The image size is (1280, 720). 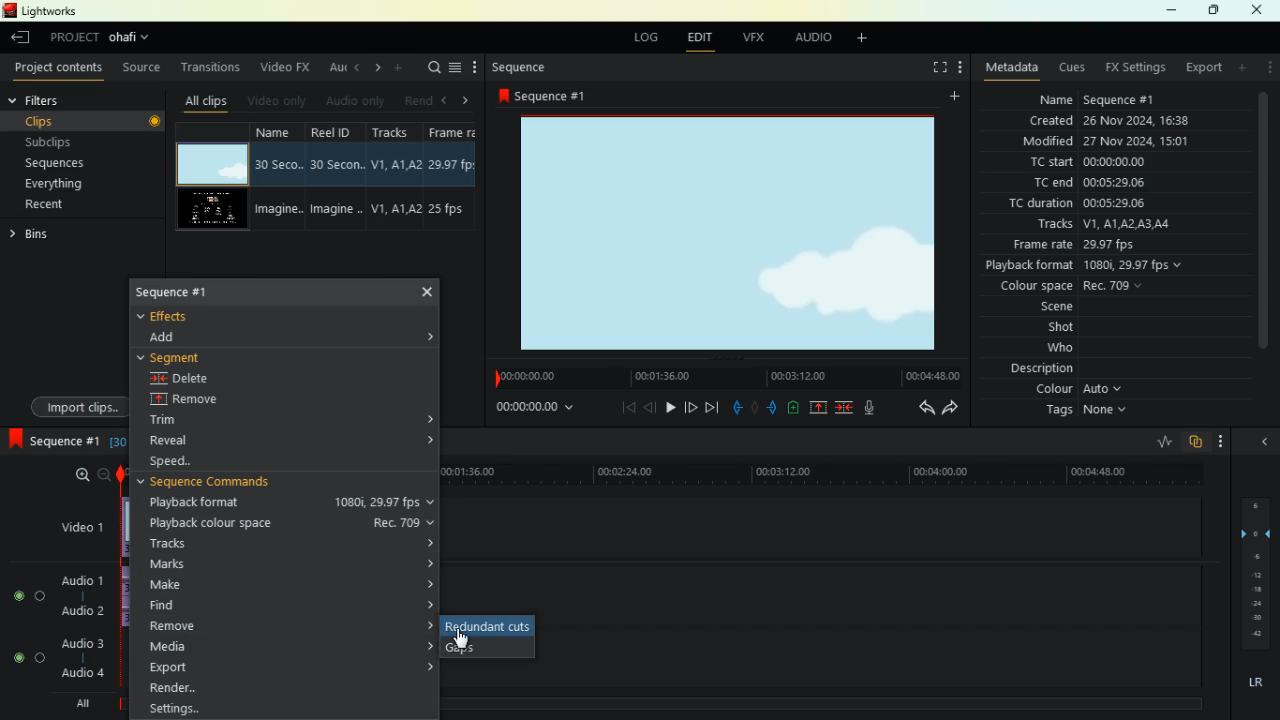 What do you see at coordinates (64, 235) in the screenshot?
I see `bins` at bounding box center [64, 235].